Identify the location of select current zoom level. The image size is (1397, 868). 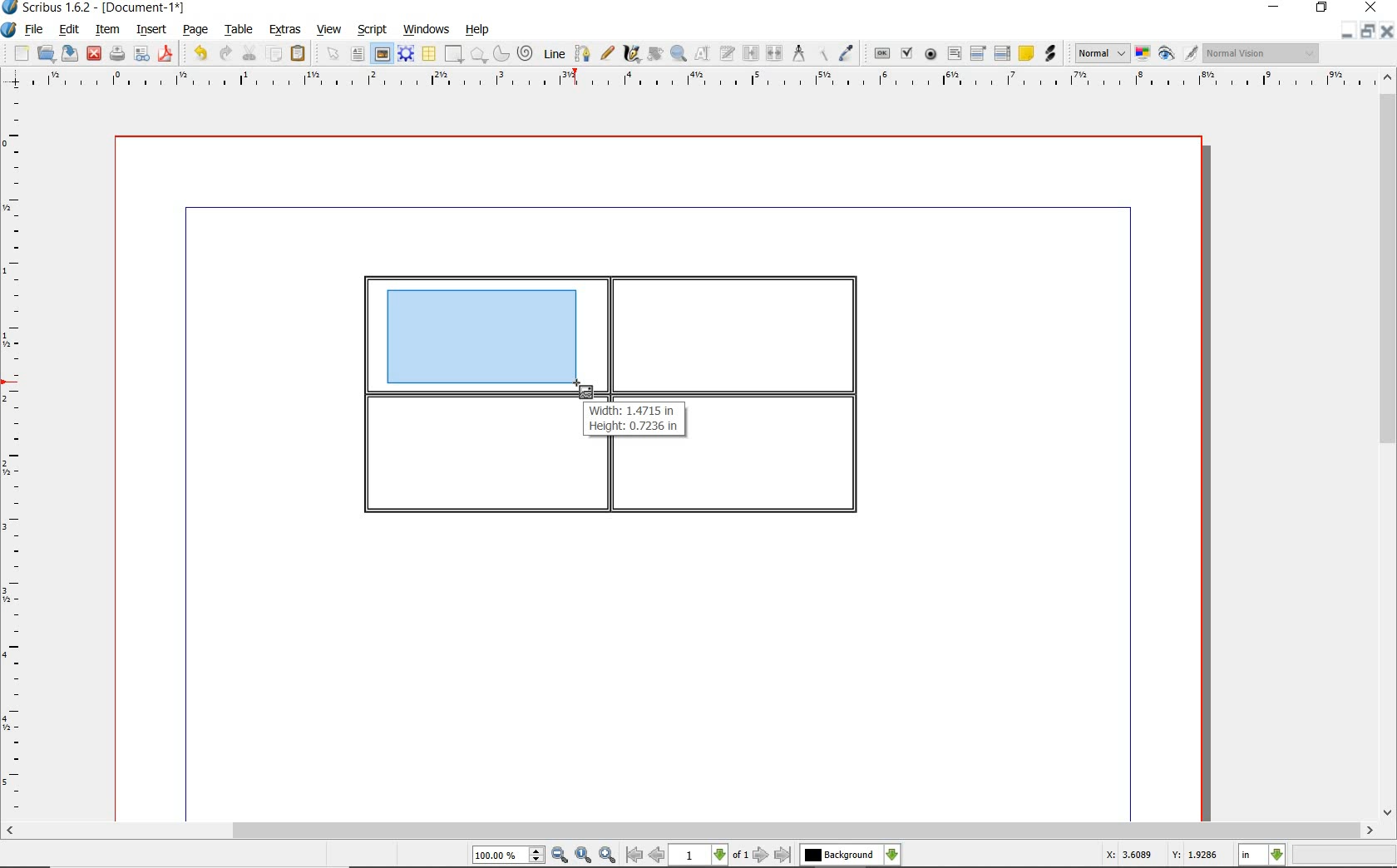
(508, 856).